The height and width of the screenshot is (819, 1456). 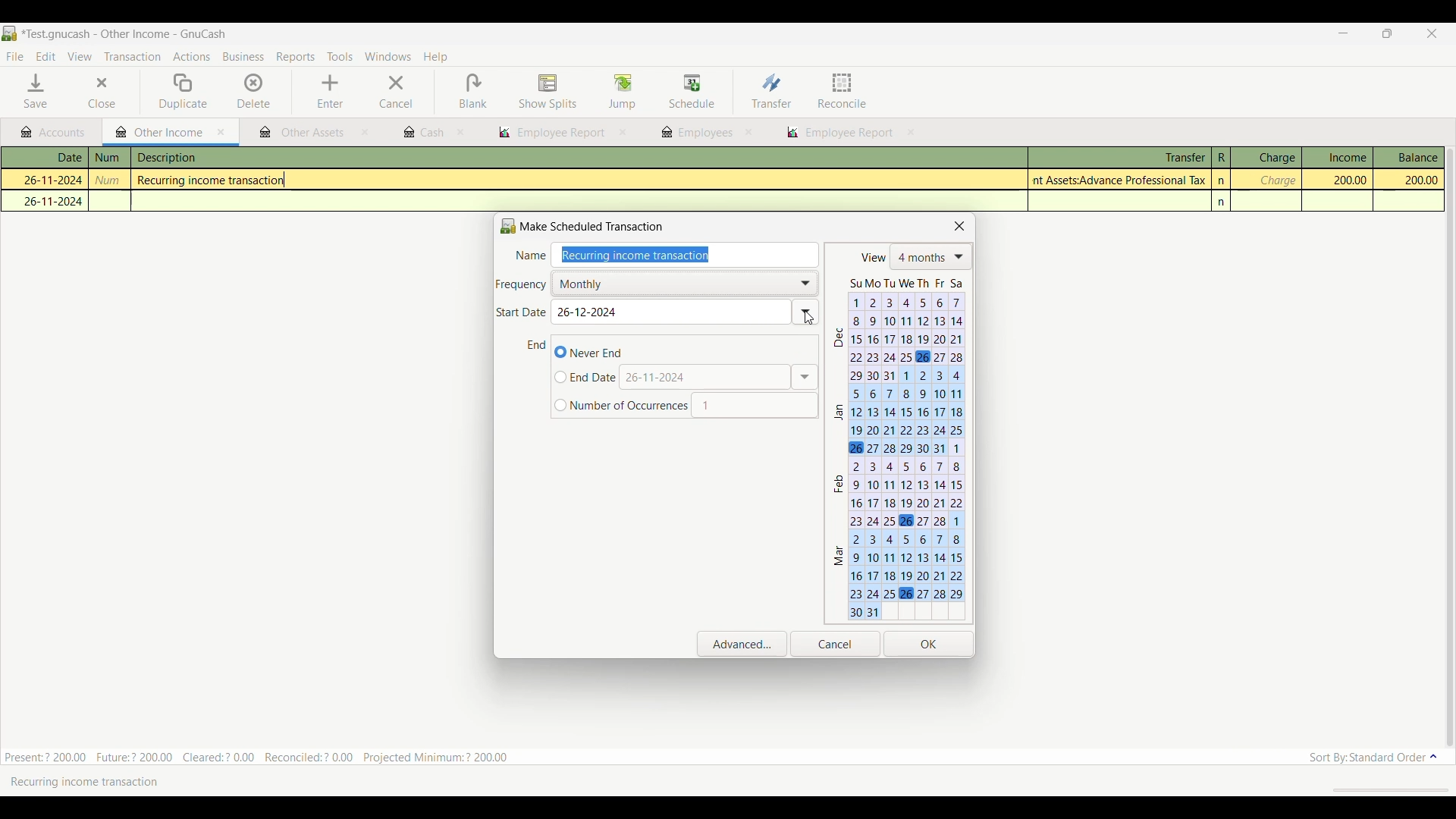 What do you see at coordinates (929, 645) in the screenshot?
I see `Save inputs` at bounding box center [929, 645].